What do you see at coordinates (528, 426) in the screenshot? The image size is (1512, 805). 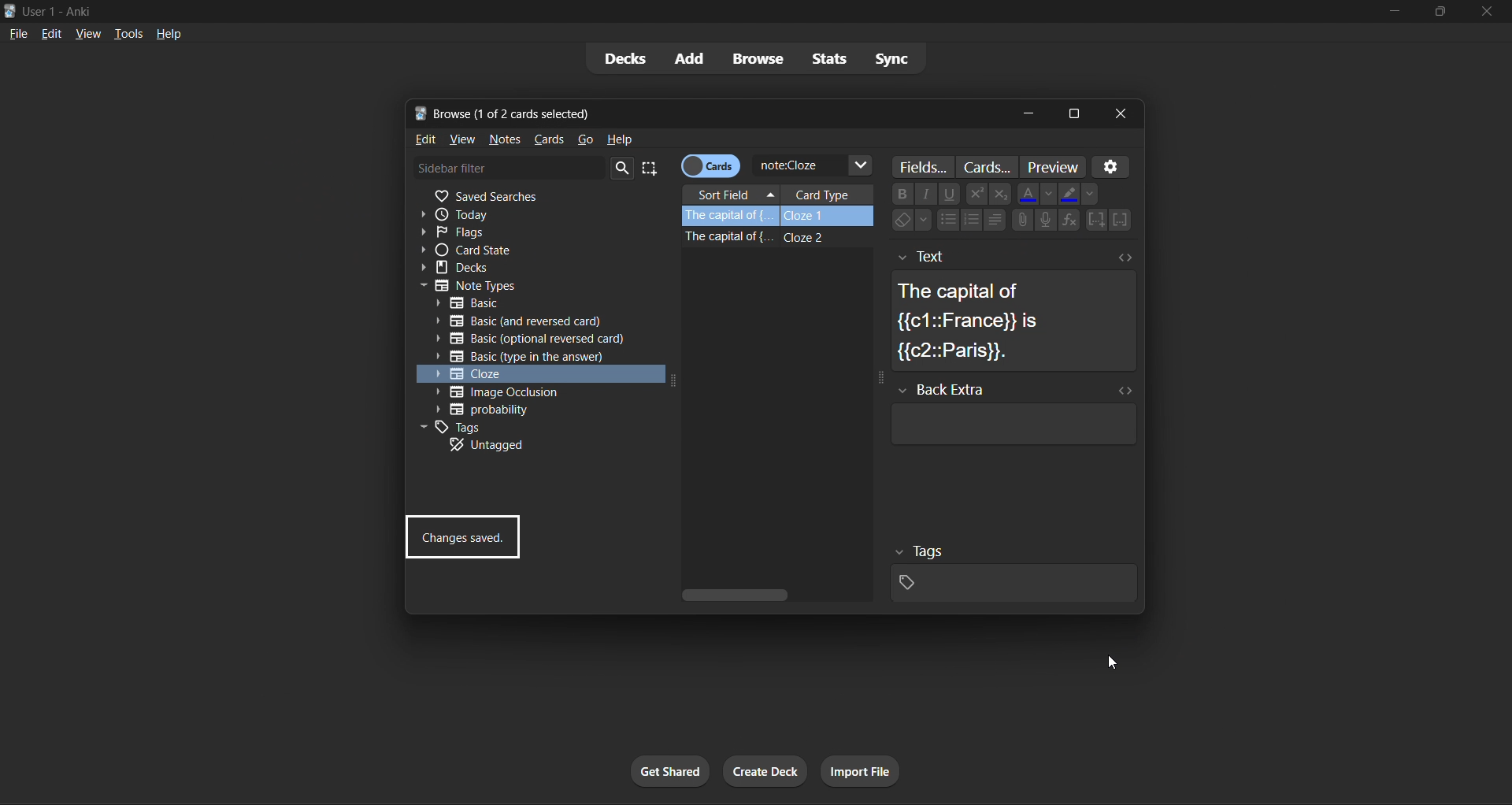 I see `tags filter` at bounding box center [528, 426].